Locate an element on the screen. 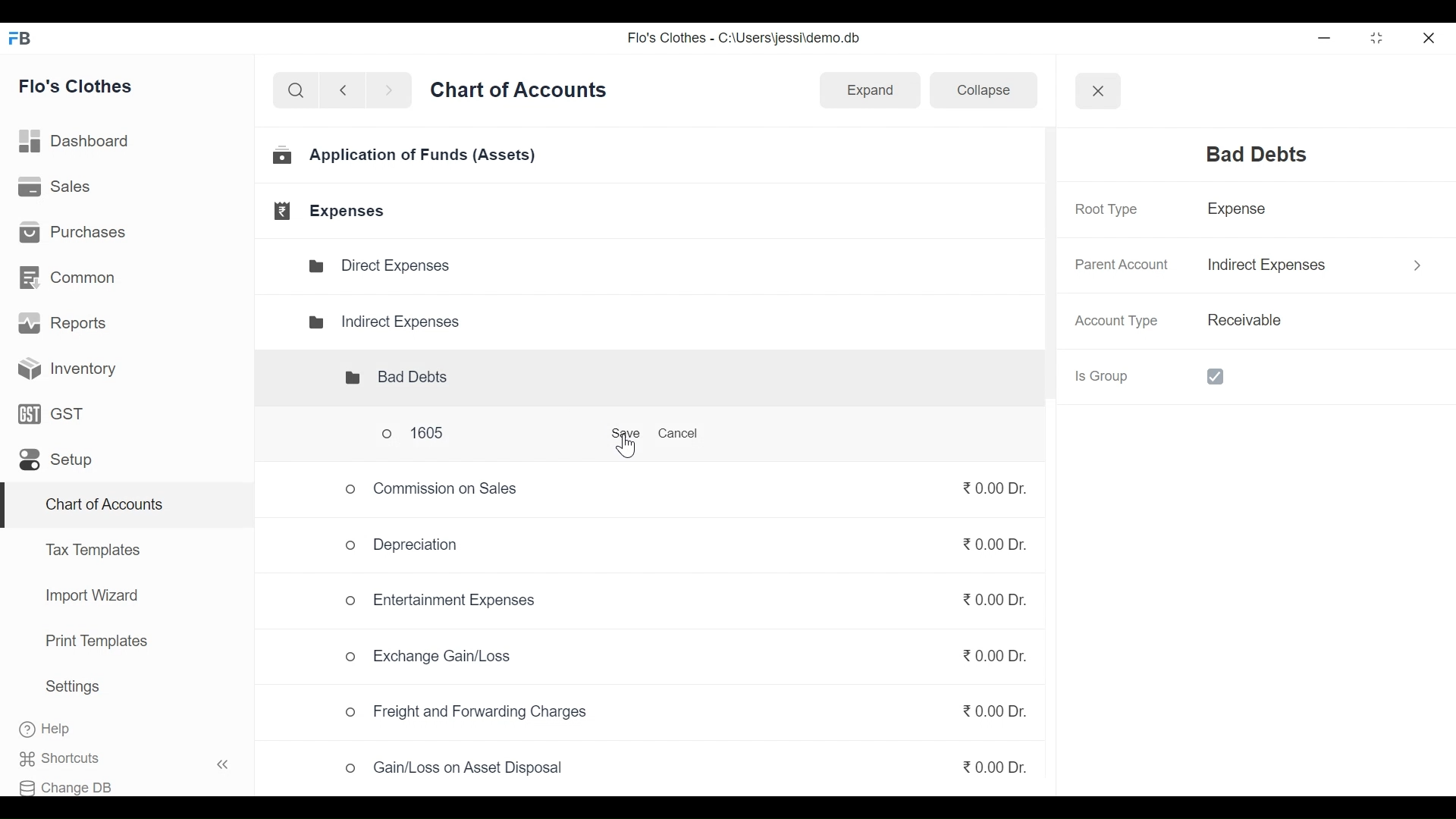  Close is located at coordinates (1097, 89).